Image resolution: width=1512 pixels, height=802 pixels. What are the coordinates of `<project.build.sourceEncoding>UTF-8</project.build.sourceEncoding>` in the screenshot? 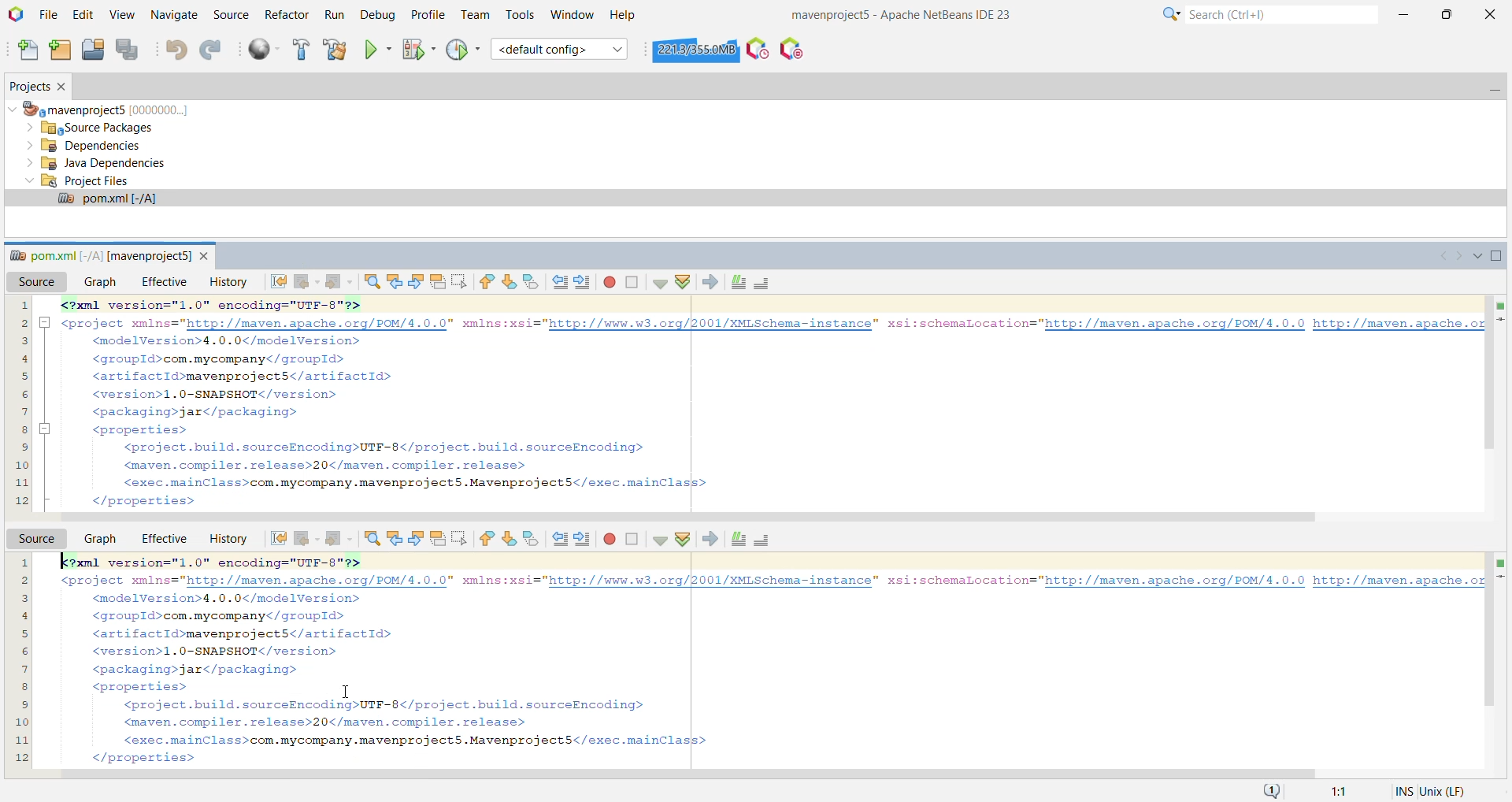 It's located at (391, 705).